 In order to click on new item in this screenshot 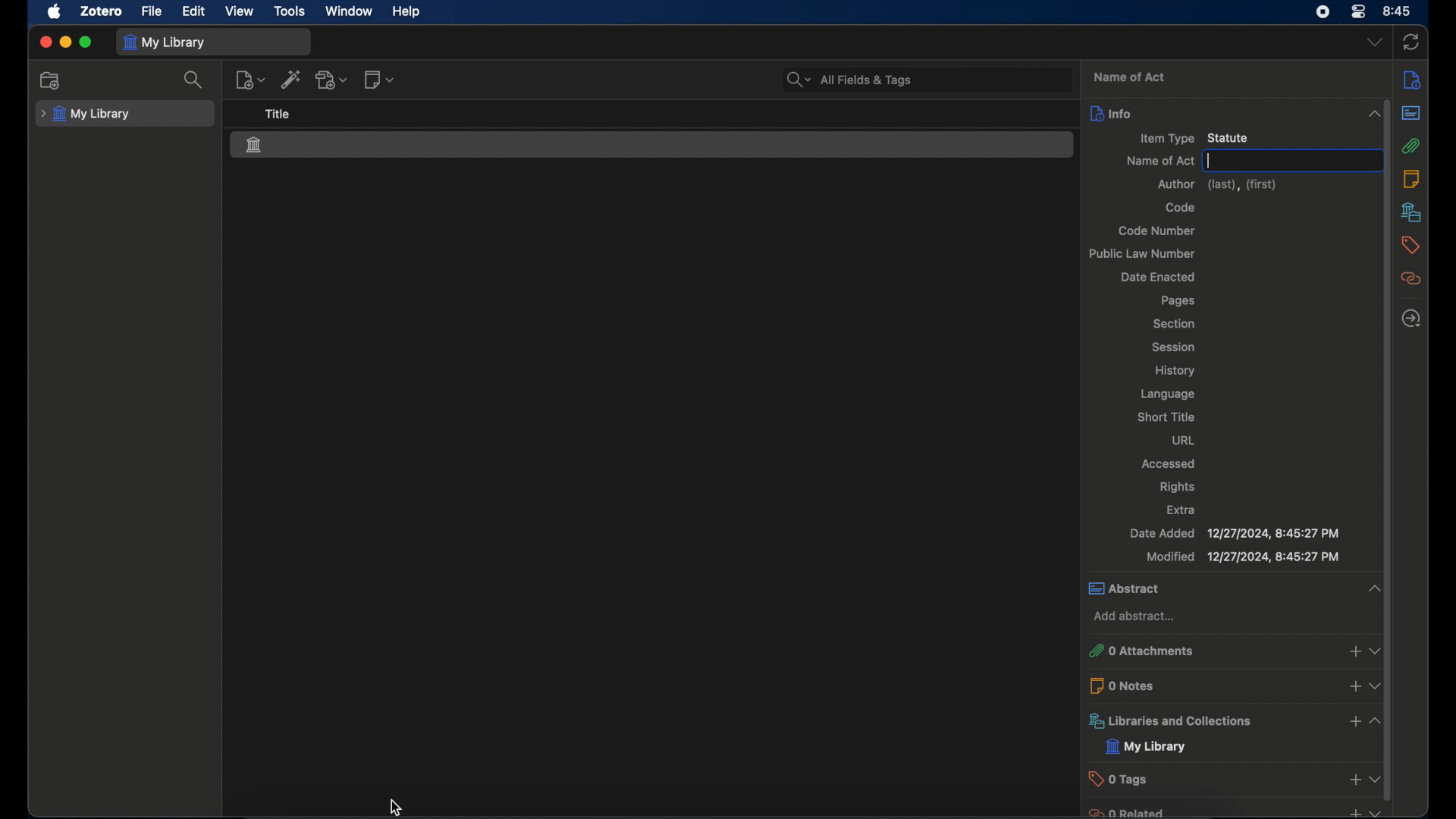, I will do `click(250, 81)`.